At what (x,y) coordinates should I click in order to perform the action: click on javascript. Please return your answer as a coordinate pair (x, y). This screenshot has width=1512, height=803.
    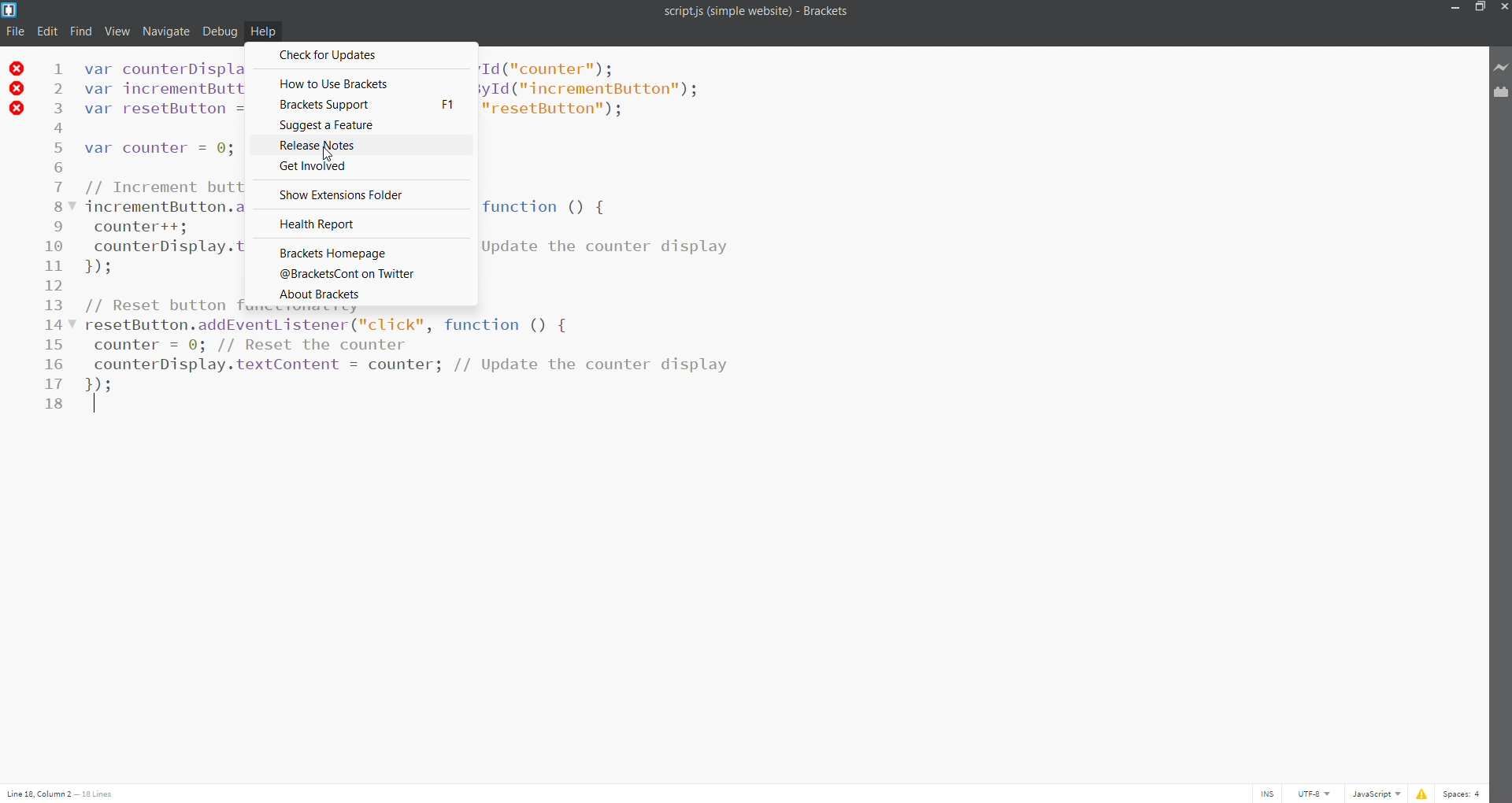
    Looking at the image, I should click on (1378, 794).